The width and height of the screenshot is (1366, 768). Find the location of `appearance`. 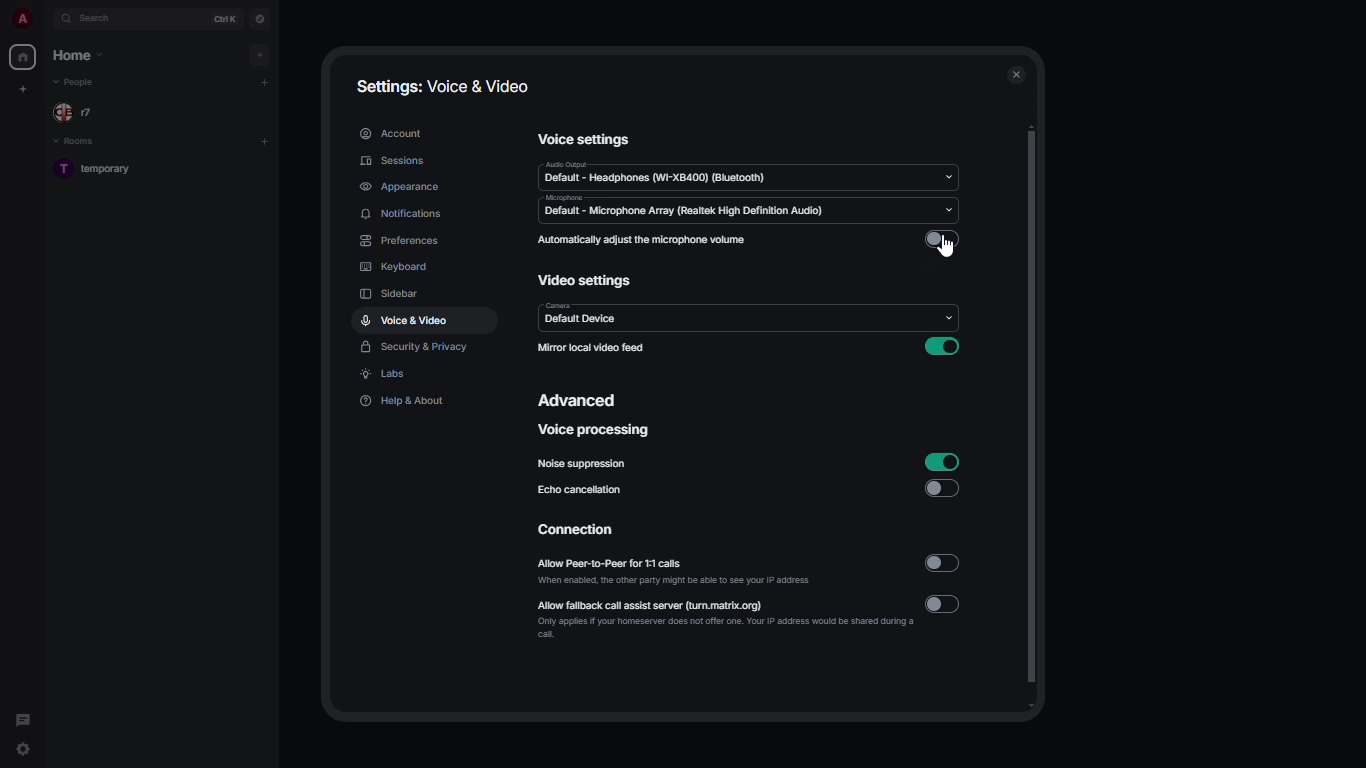

appearance is located at coordinates (401, 187).